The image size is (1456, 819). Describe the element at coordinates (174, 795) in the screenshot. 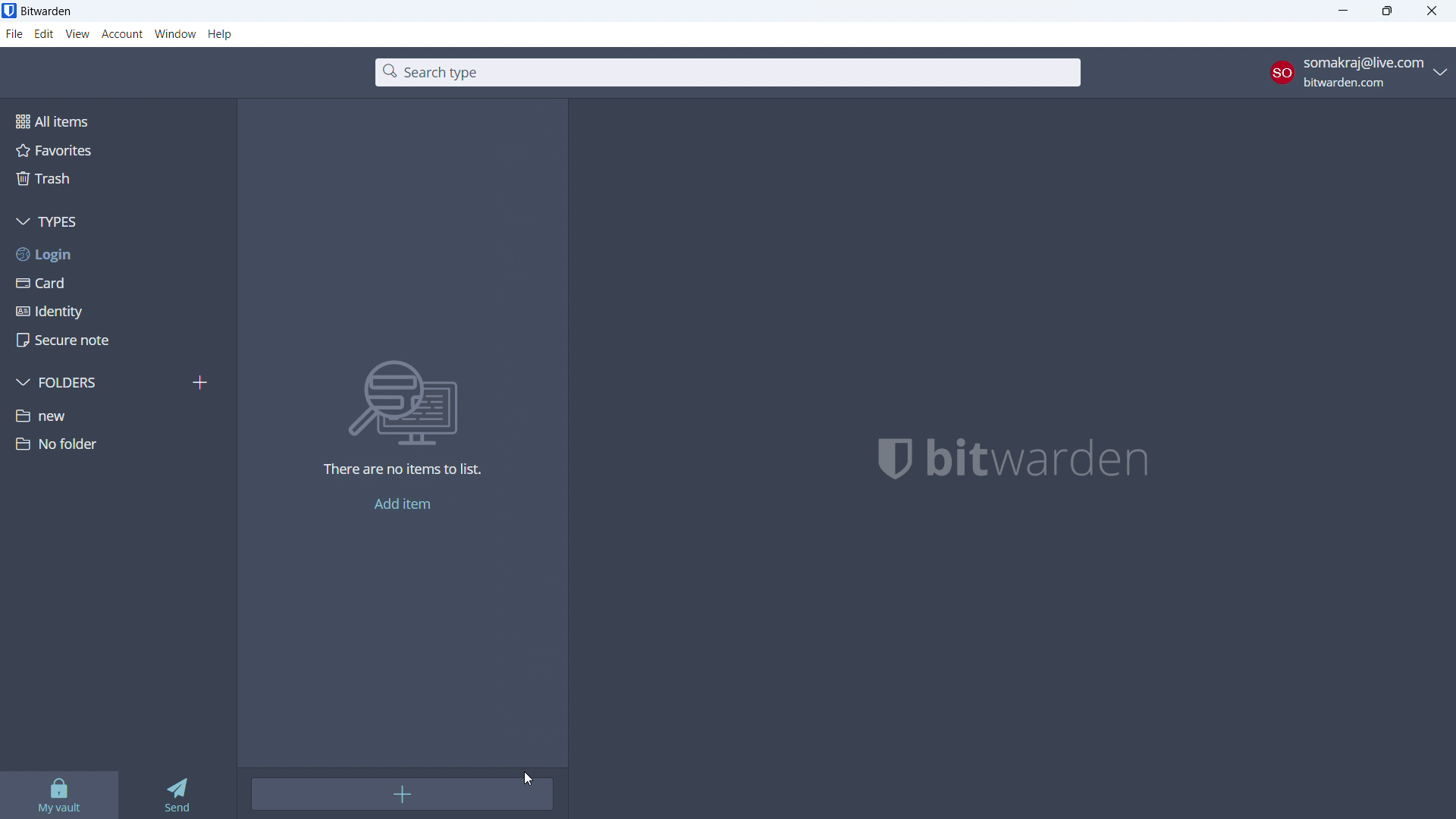

I see `send` at that location.